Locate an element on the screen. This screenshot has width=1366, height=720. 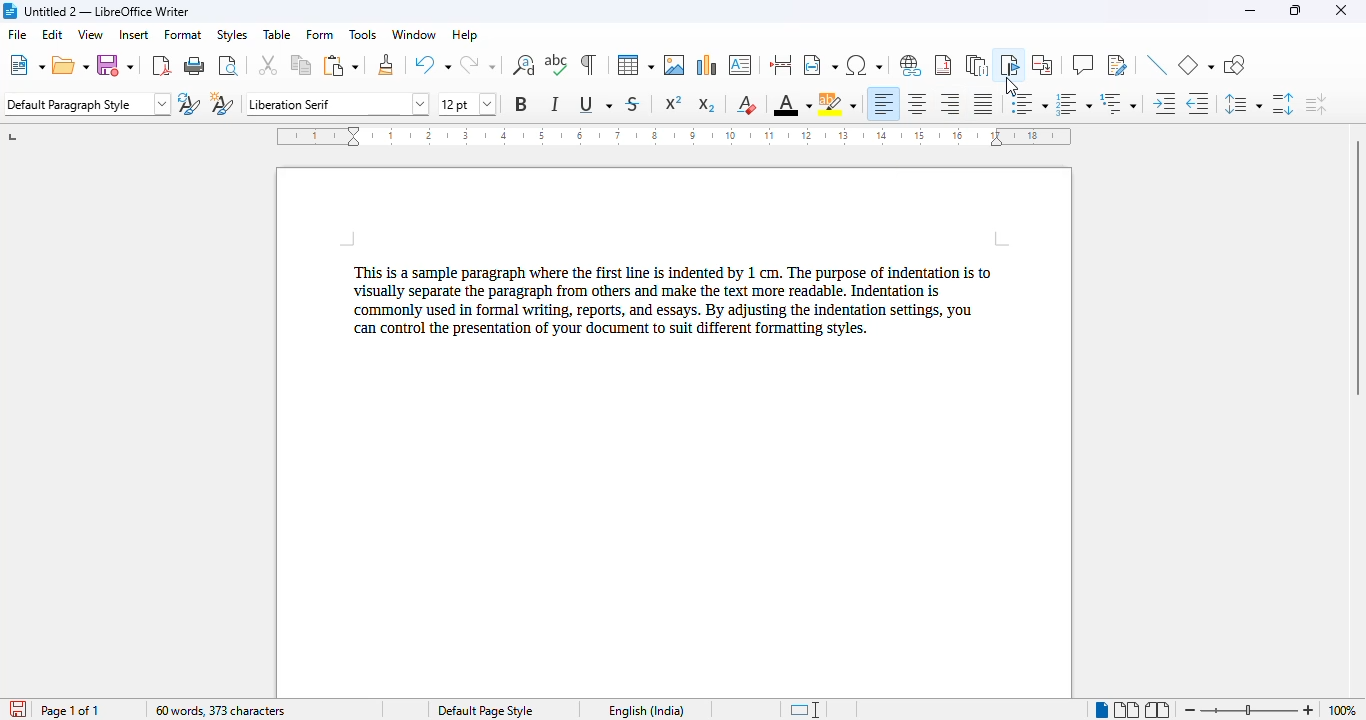
close is located at coordinates (1340, 10).